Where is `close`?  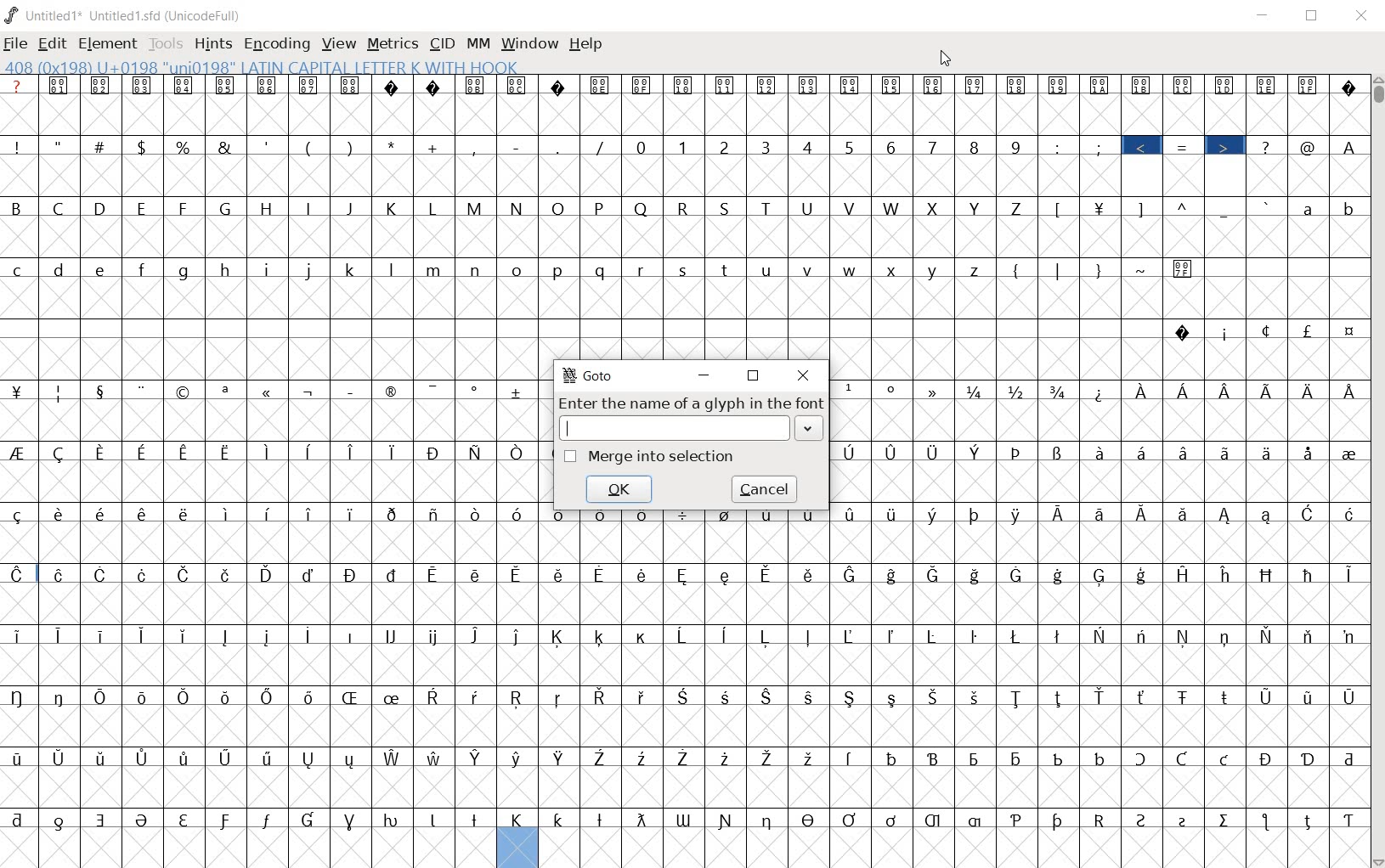
close is located at coordinates (1363, 16).